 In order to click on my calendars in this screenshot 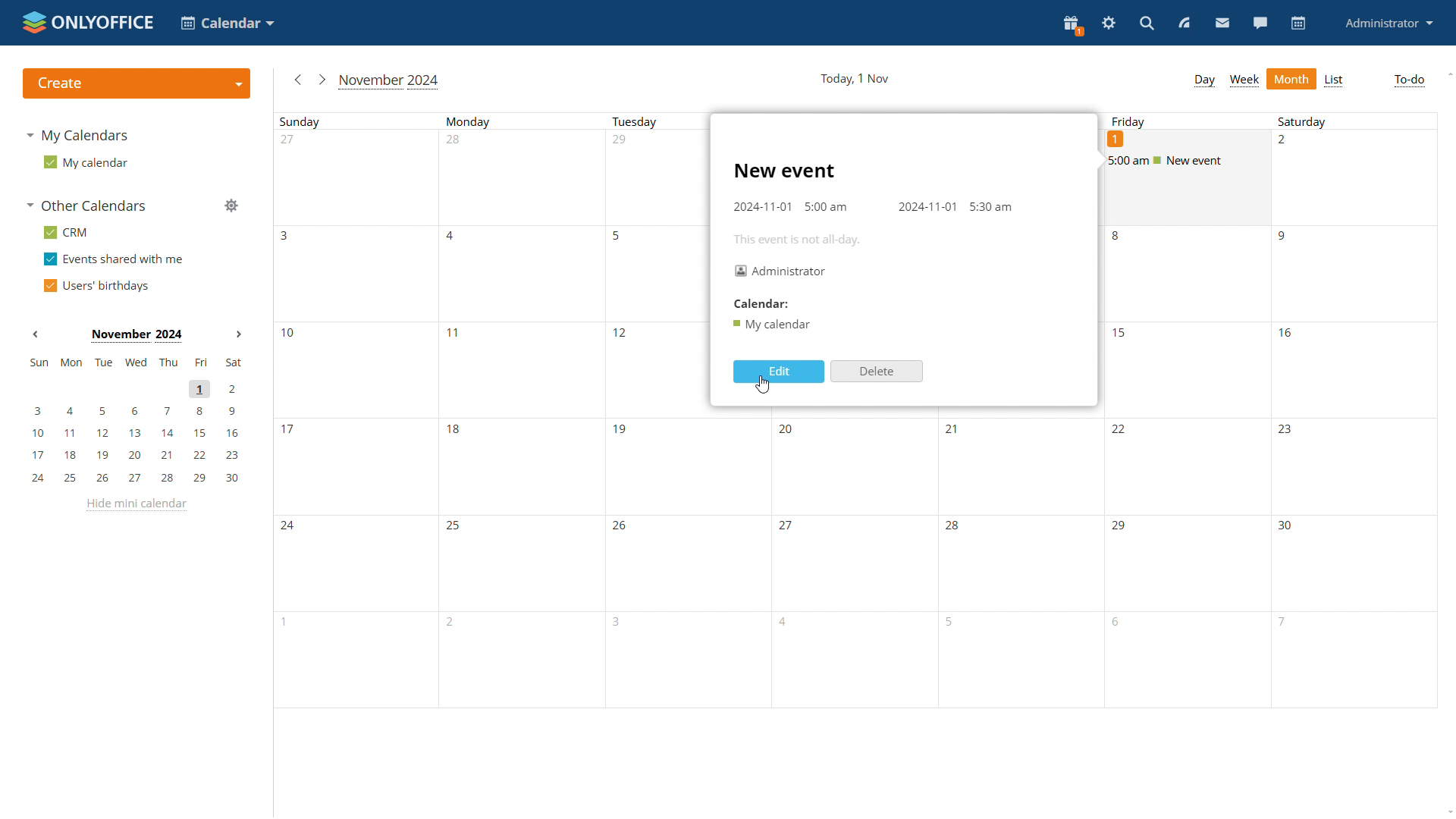, I will do `click(79, 135)`.